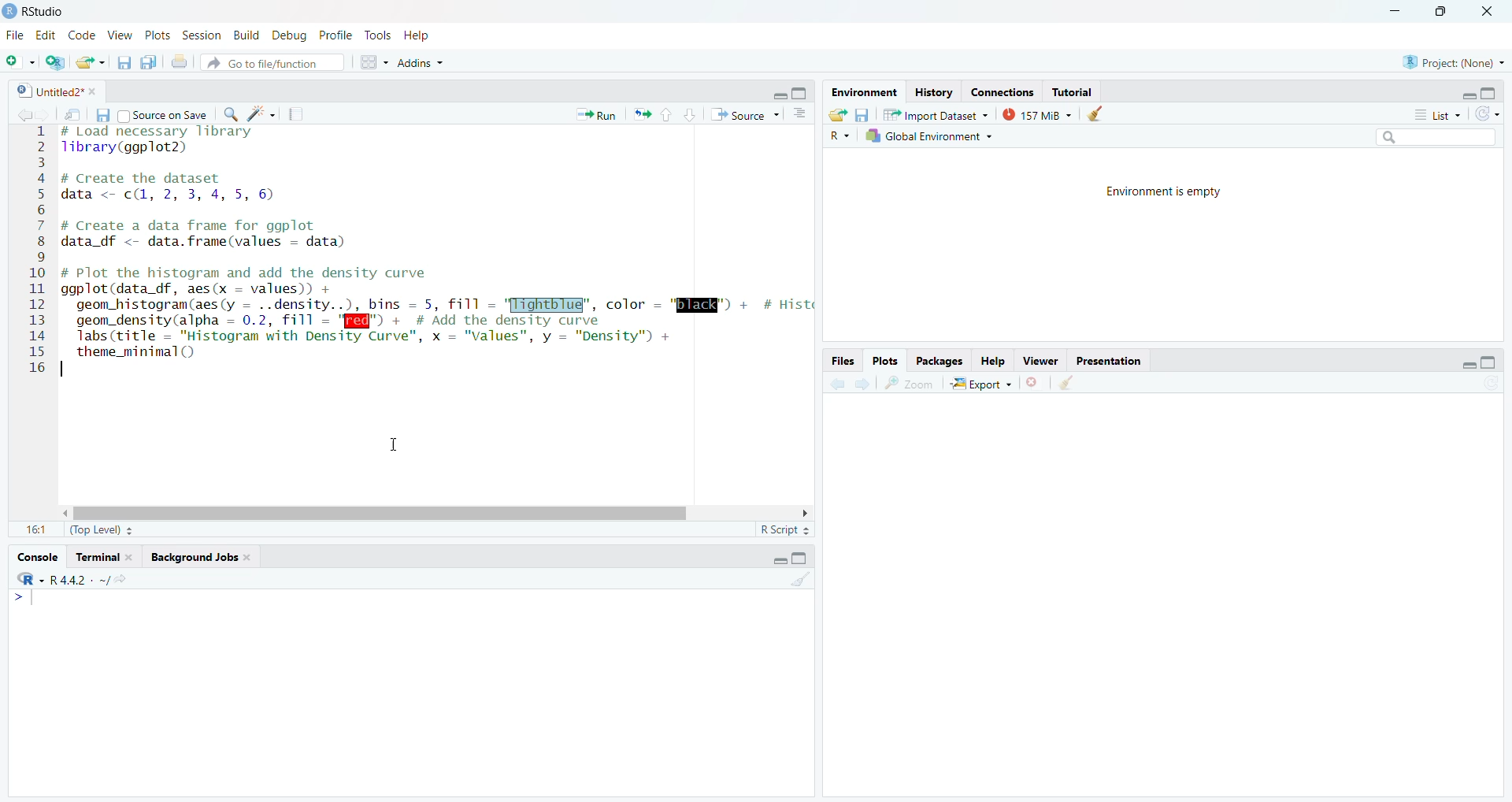 Image resolution: width=1512 pixels, height=802 pixels. Describe the element at coordinates (129, 556) in the screenshot. I see `close` at that location.